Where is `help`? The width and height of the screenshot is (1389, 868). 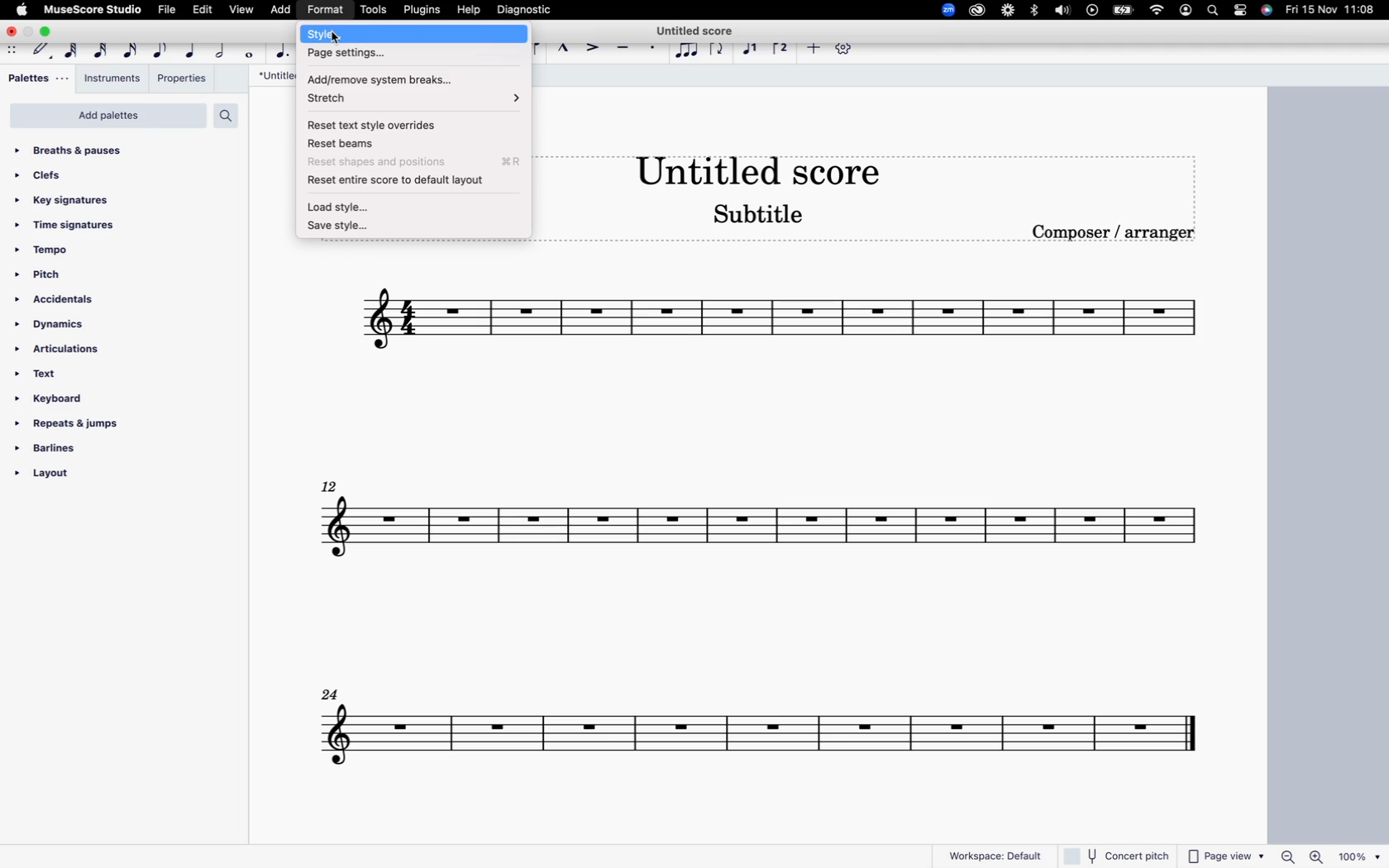 help is located at coordinates (469, 12).